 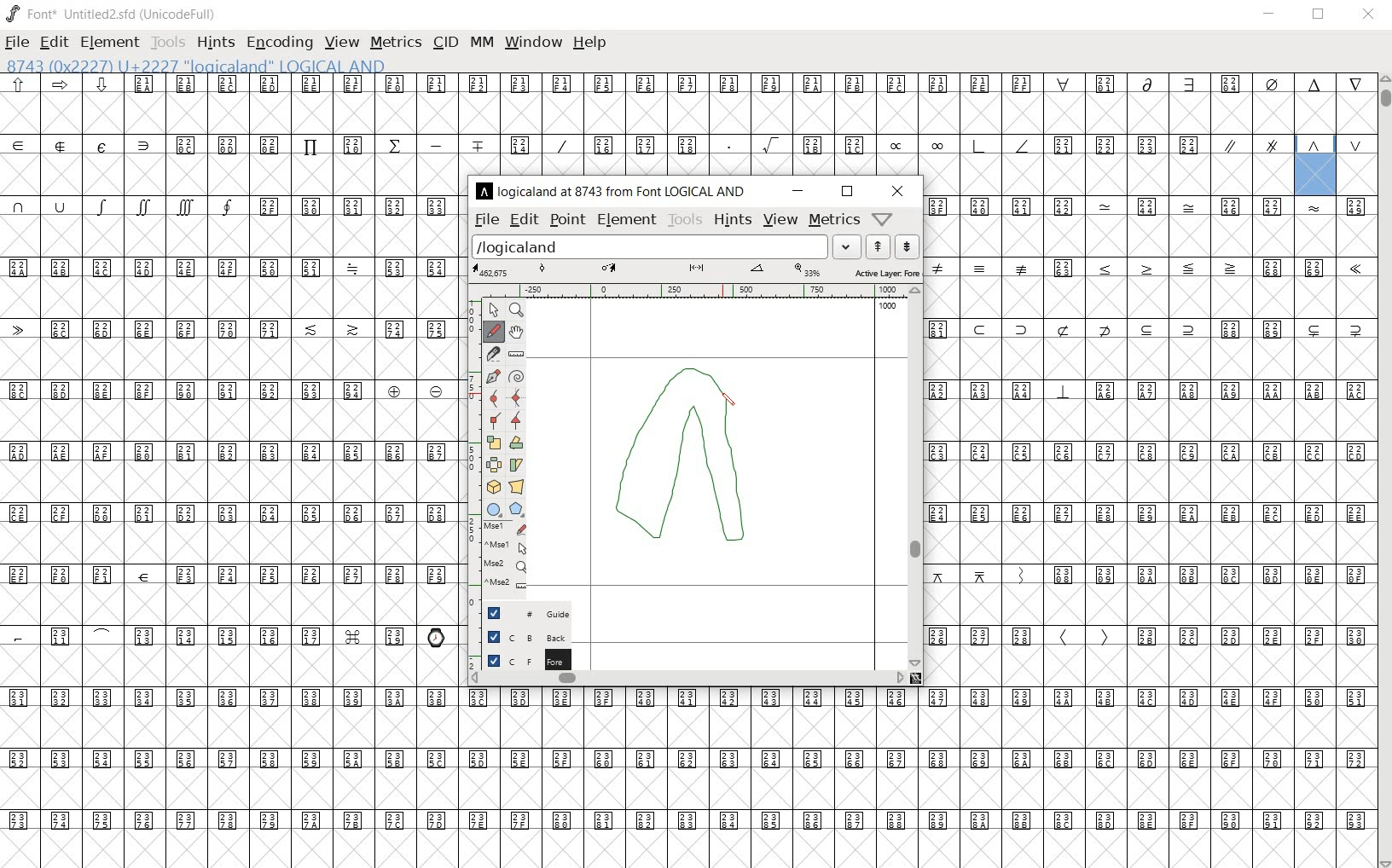 I want to click on edit, so click(x=523, y=219).